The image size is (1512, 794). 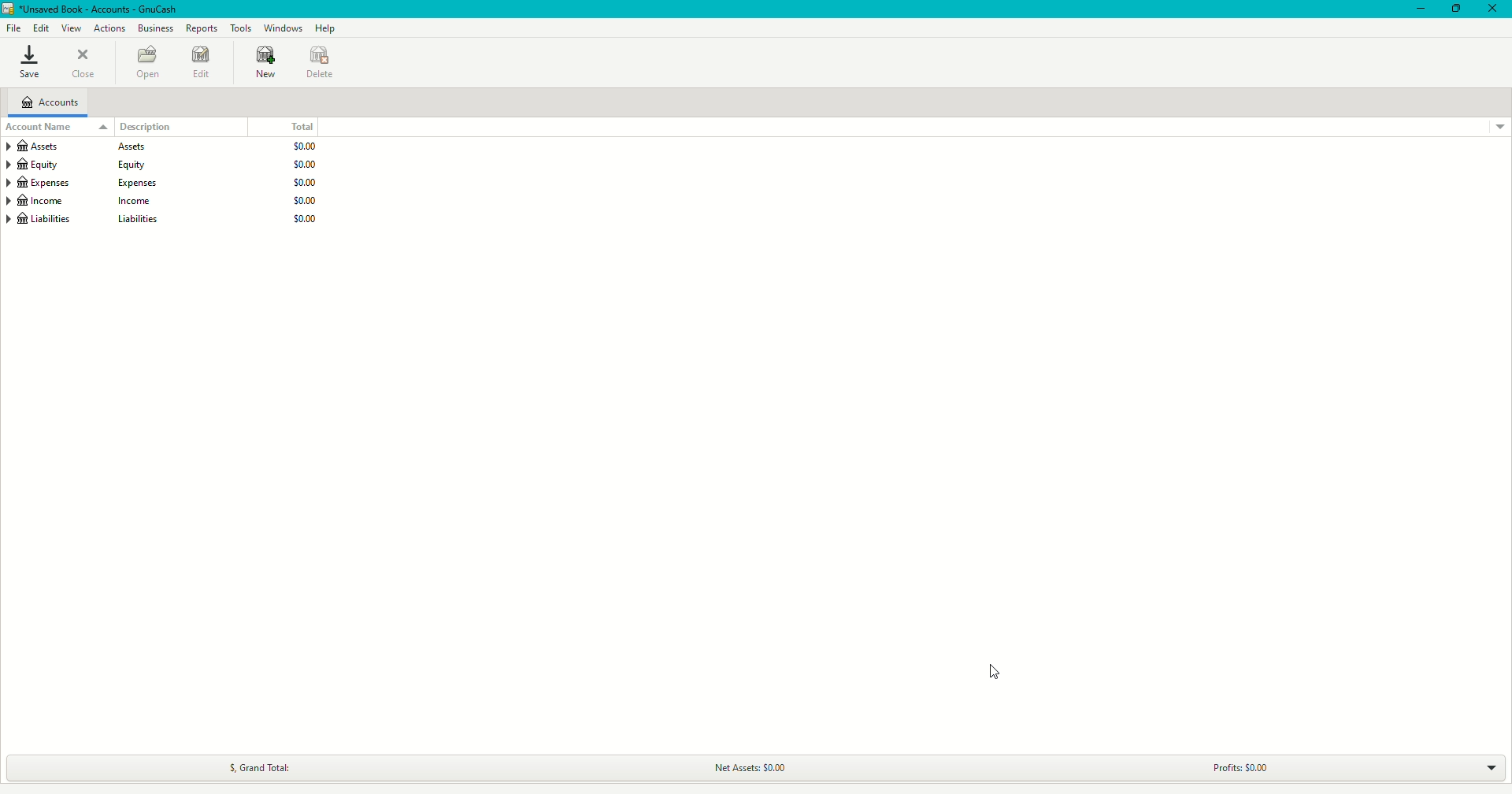 I want to click on Account name, so click(x=42, y=126).